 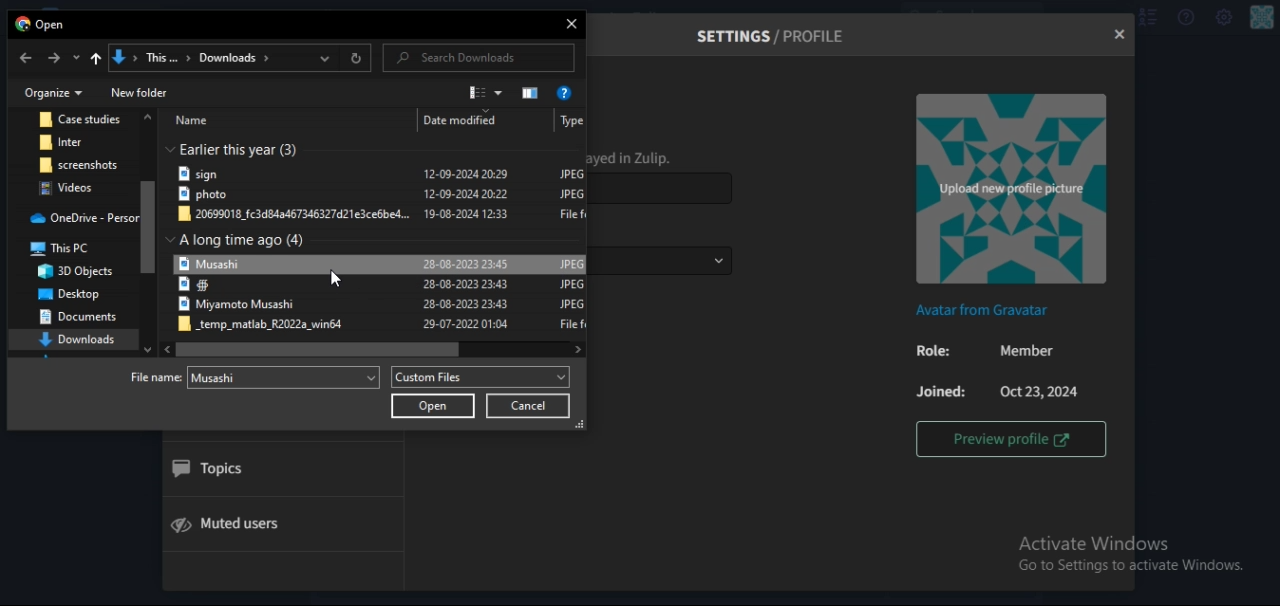 What do you see at coordinates (260, 378) in the screenshot?
I see `filename` at bounding box center [260, 378].